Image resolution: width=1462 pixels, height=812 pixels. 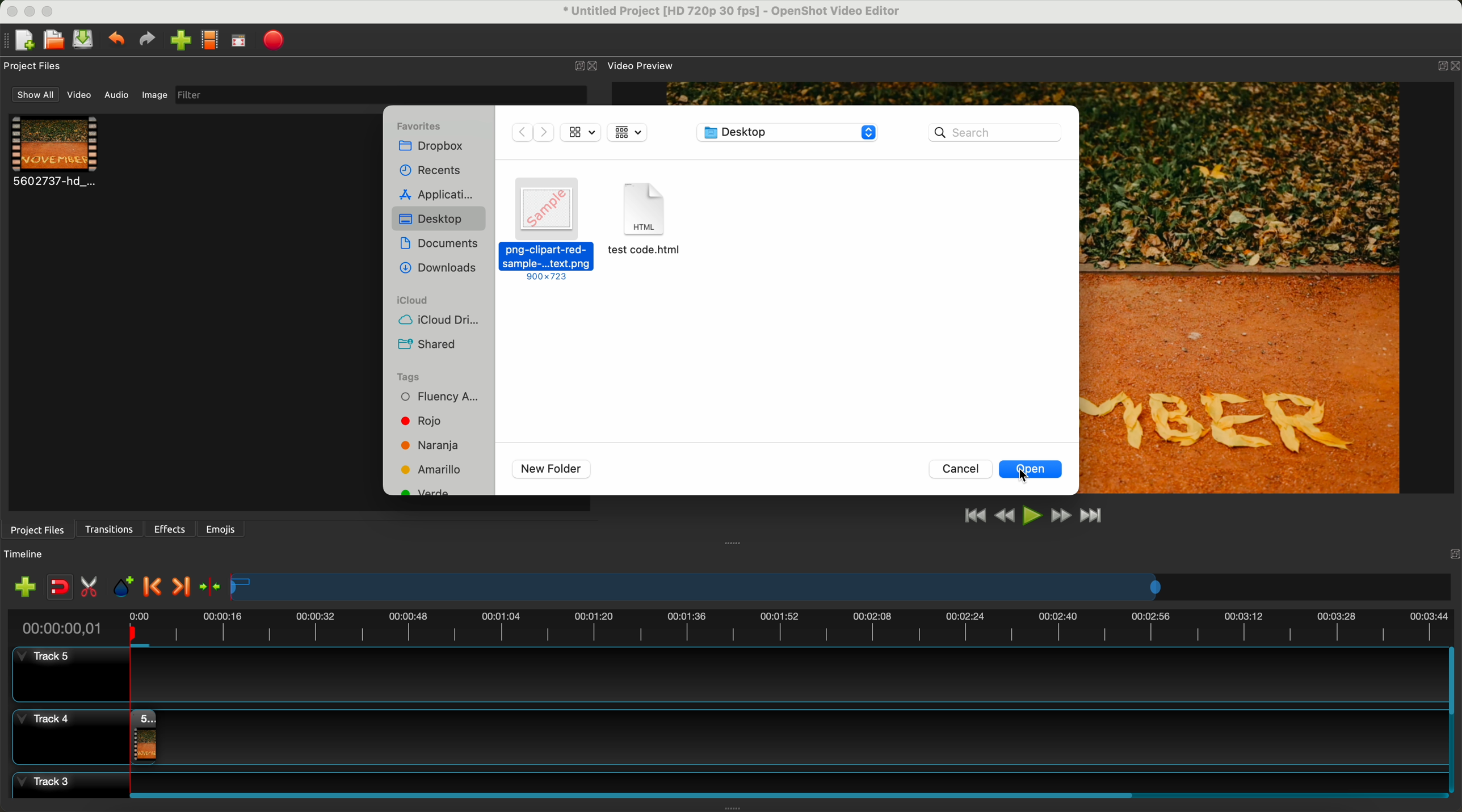 I want to click on redo, so click(x=150, y=41).